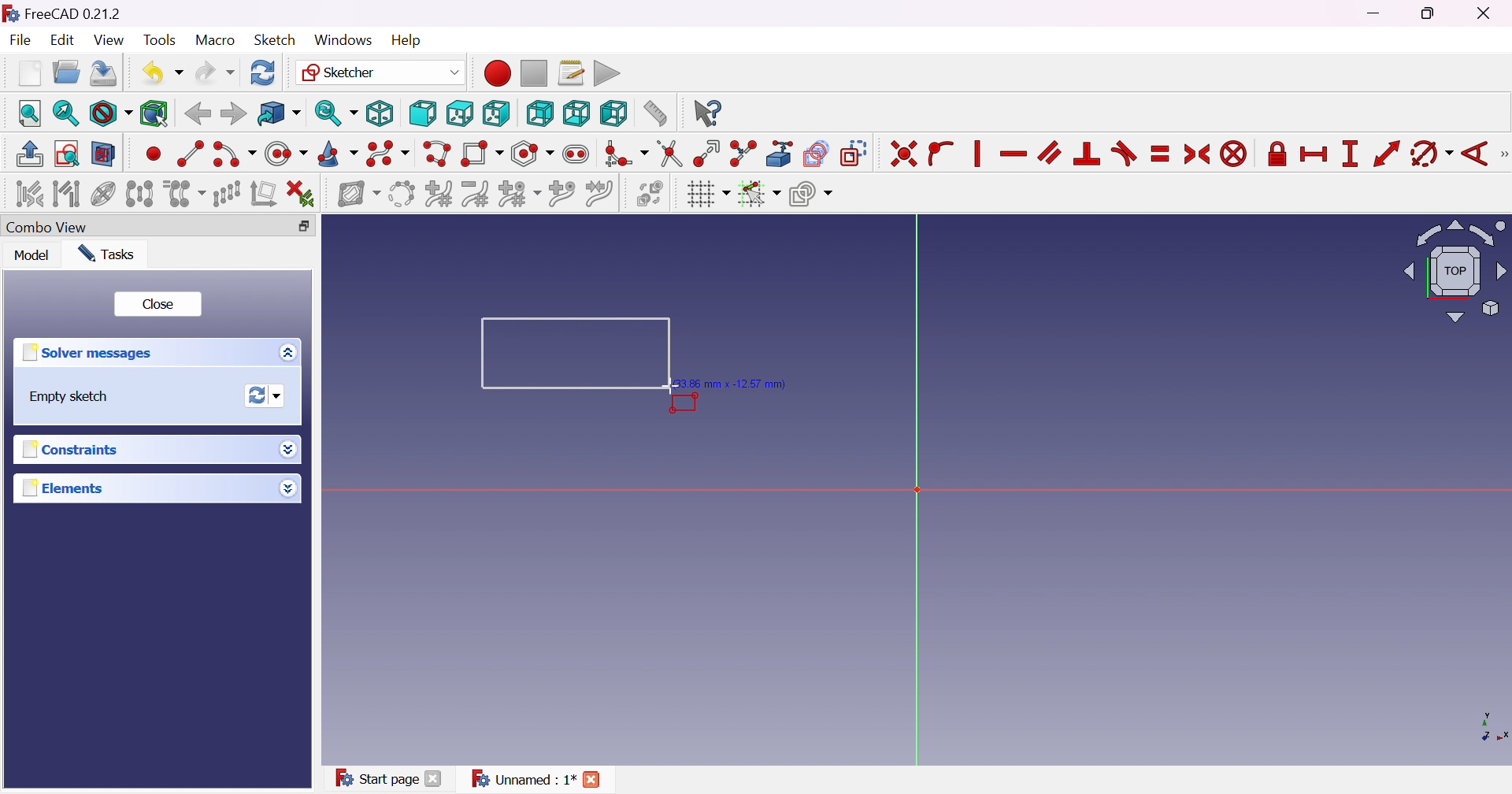 This screenshot has width=1512, height=794. What do you see at coordinates (519, 193) in the screenshot?
I see `Modify knot multiplicity` at bounding box center [519, 193].